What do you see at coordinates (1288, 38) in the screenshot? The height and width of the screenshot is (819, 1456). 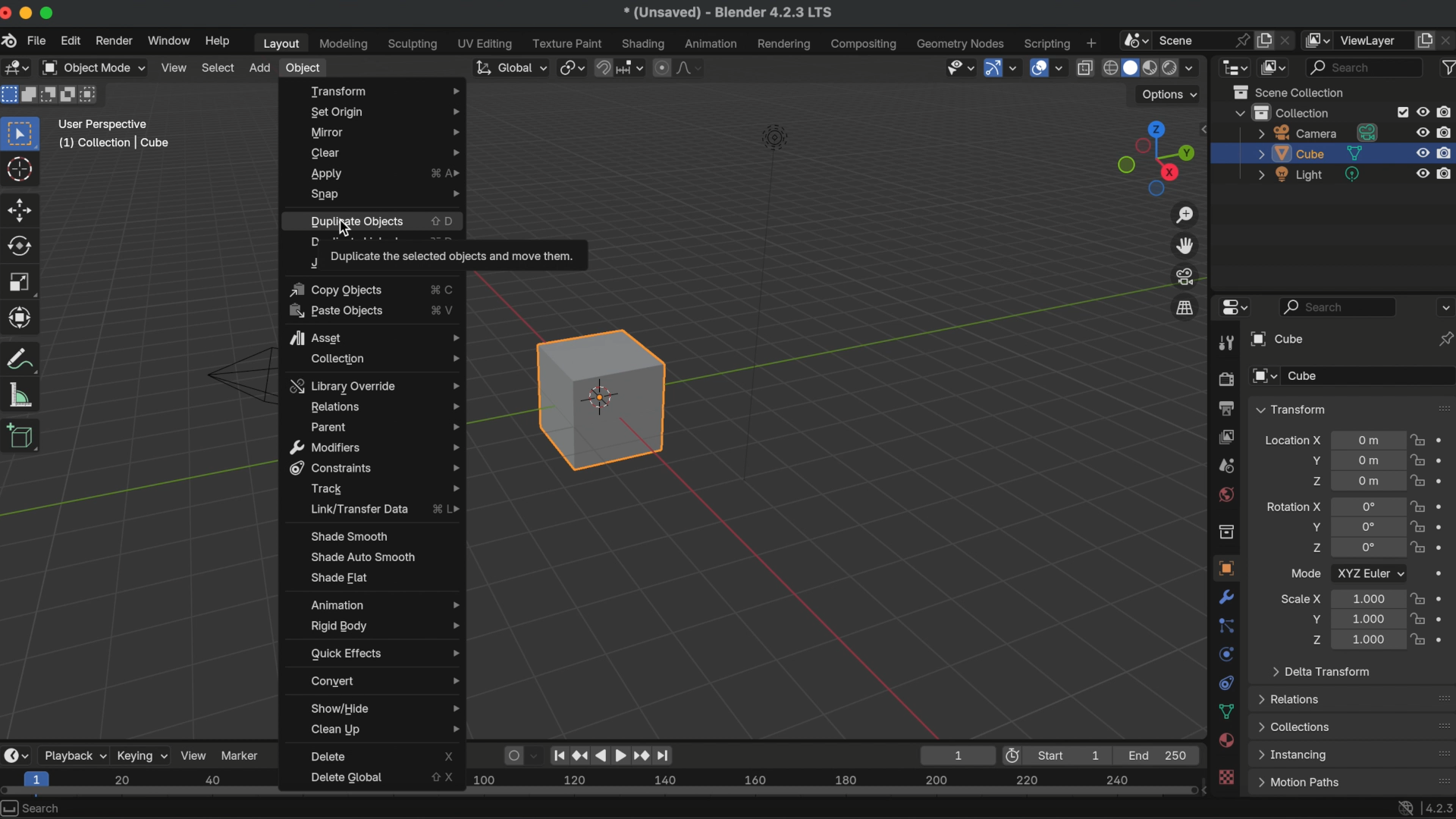 I see `delete scene` at bounding box center [1288, 38].